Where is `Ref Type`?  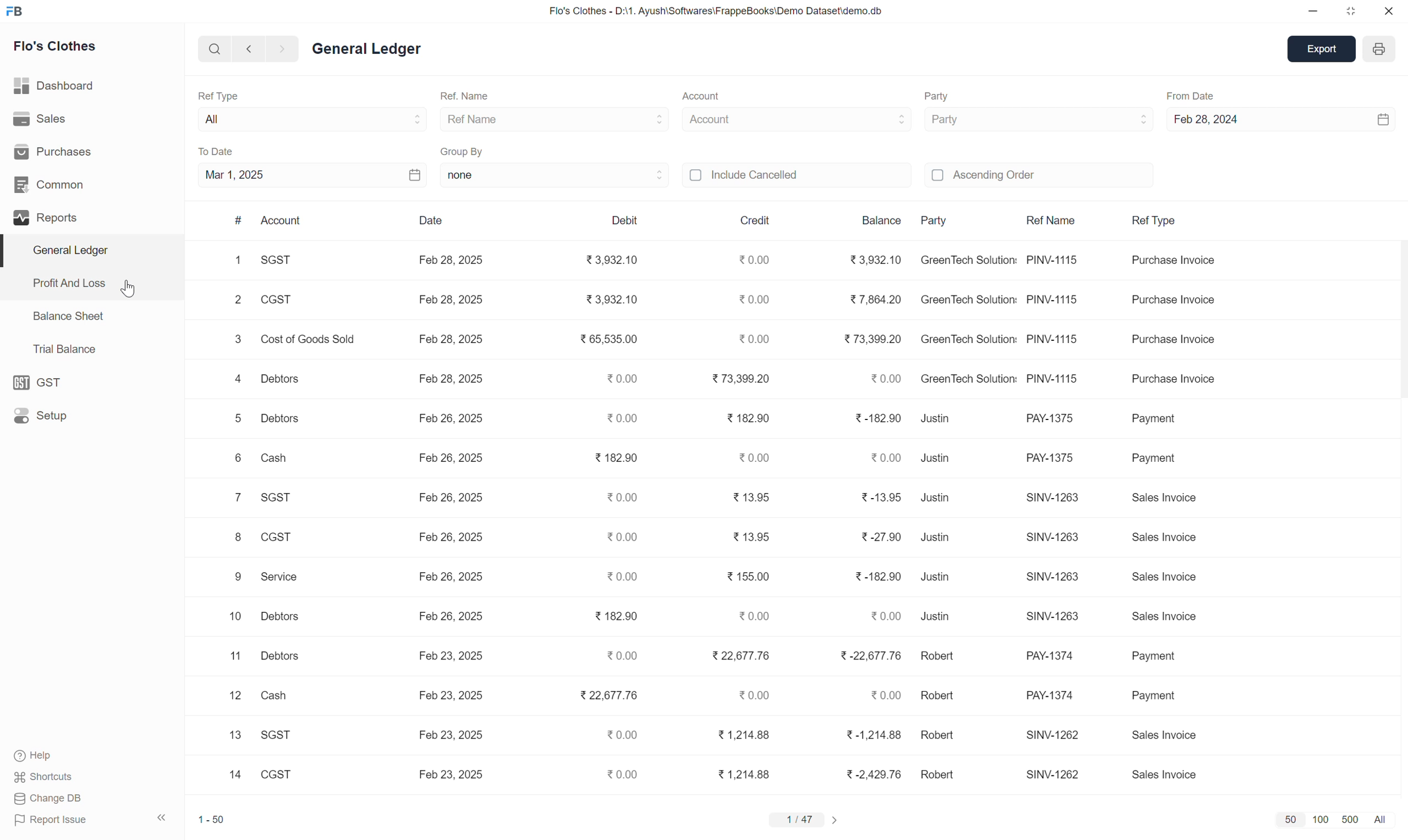
Ref Type is located at coordinates (230, 92).